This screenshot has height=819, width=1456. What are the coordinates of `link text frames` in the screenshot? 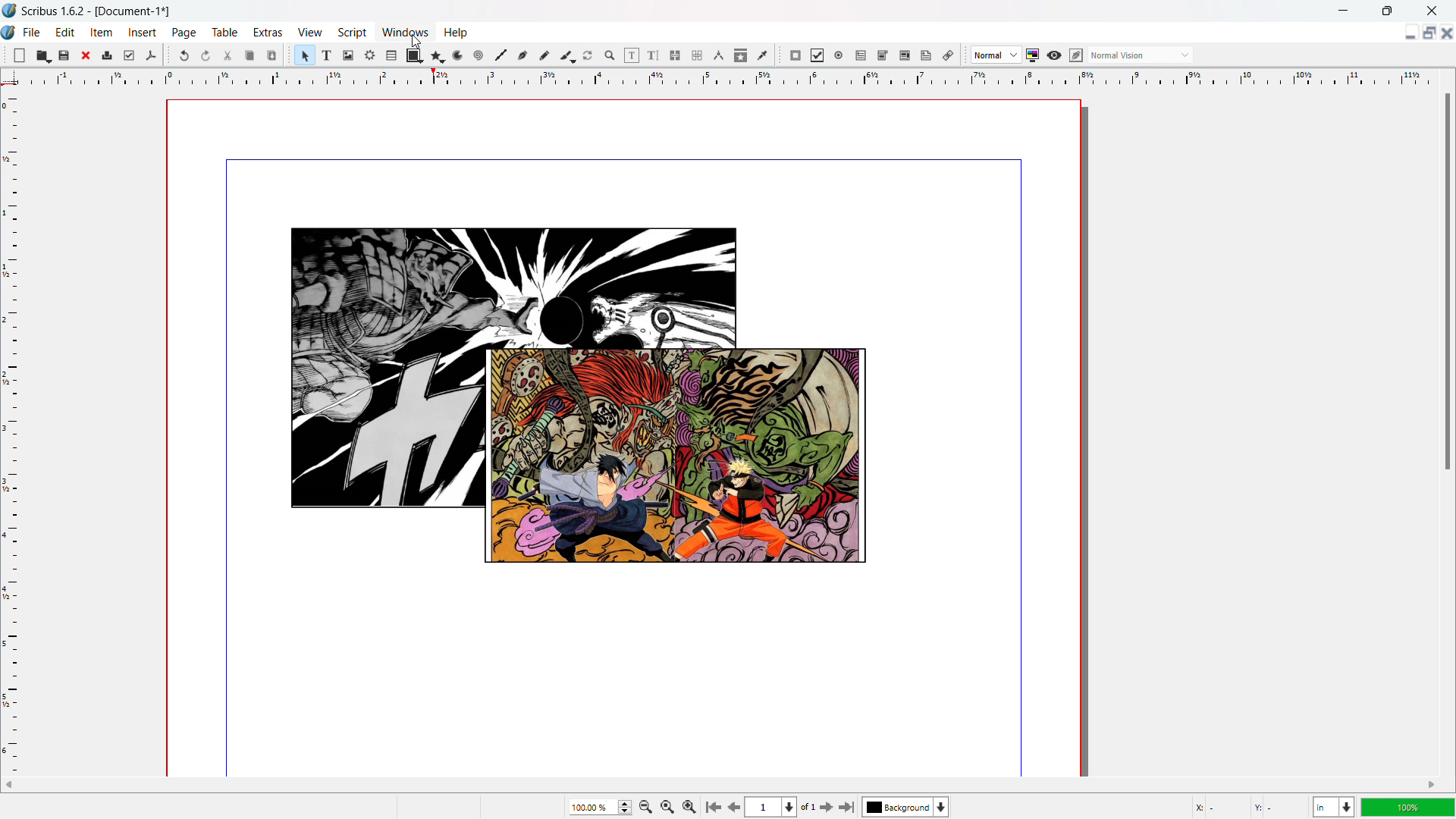 It's located at (675, 55).